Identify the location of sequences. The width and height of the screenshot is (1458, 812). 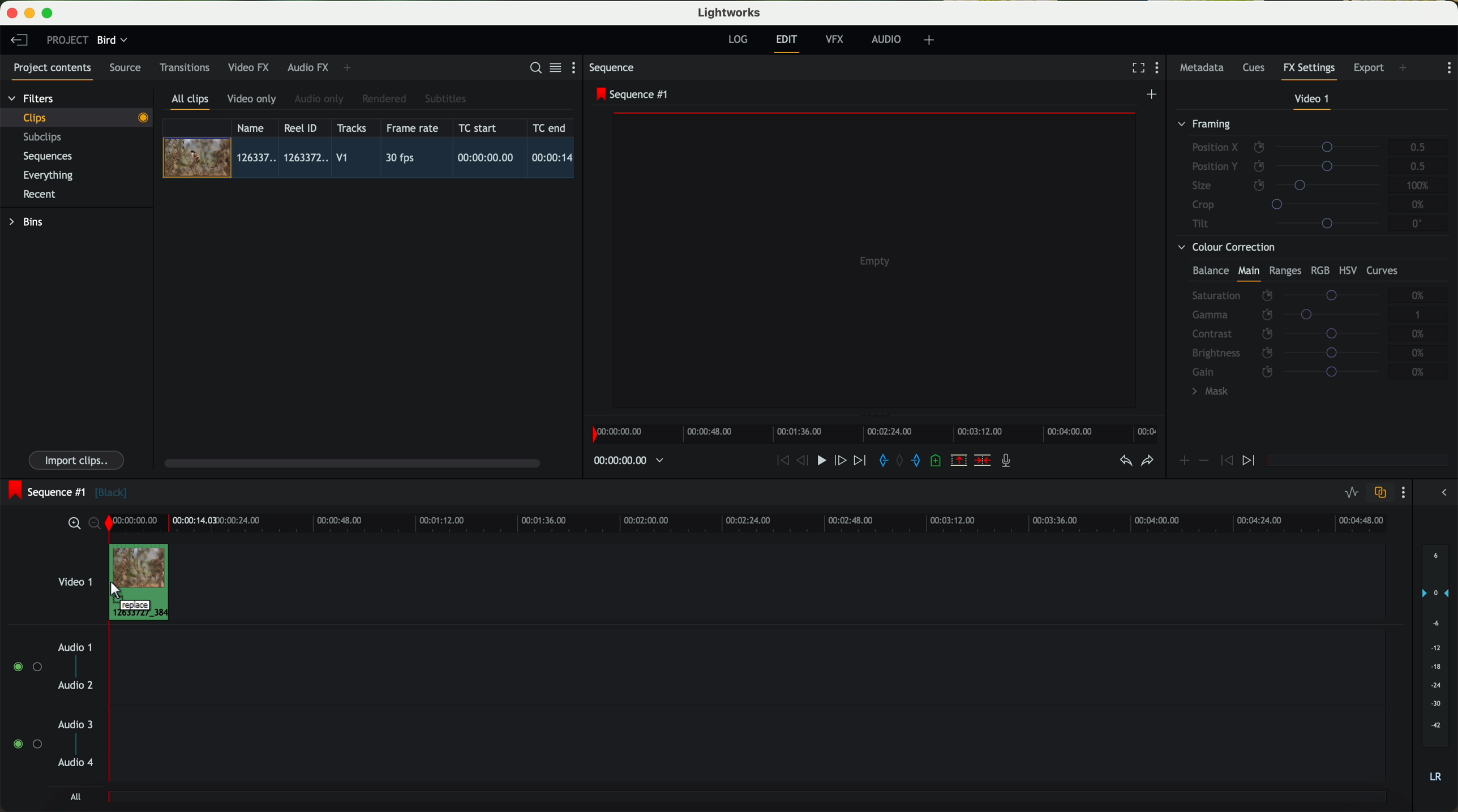
(48, 157).